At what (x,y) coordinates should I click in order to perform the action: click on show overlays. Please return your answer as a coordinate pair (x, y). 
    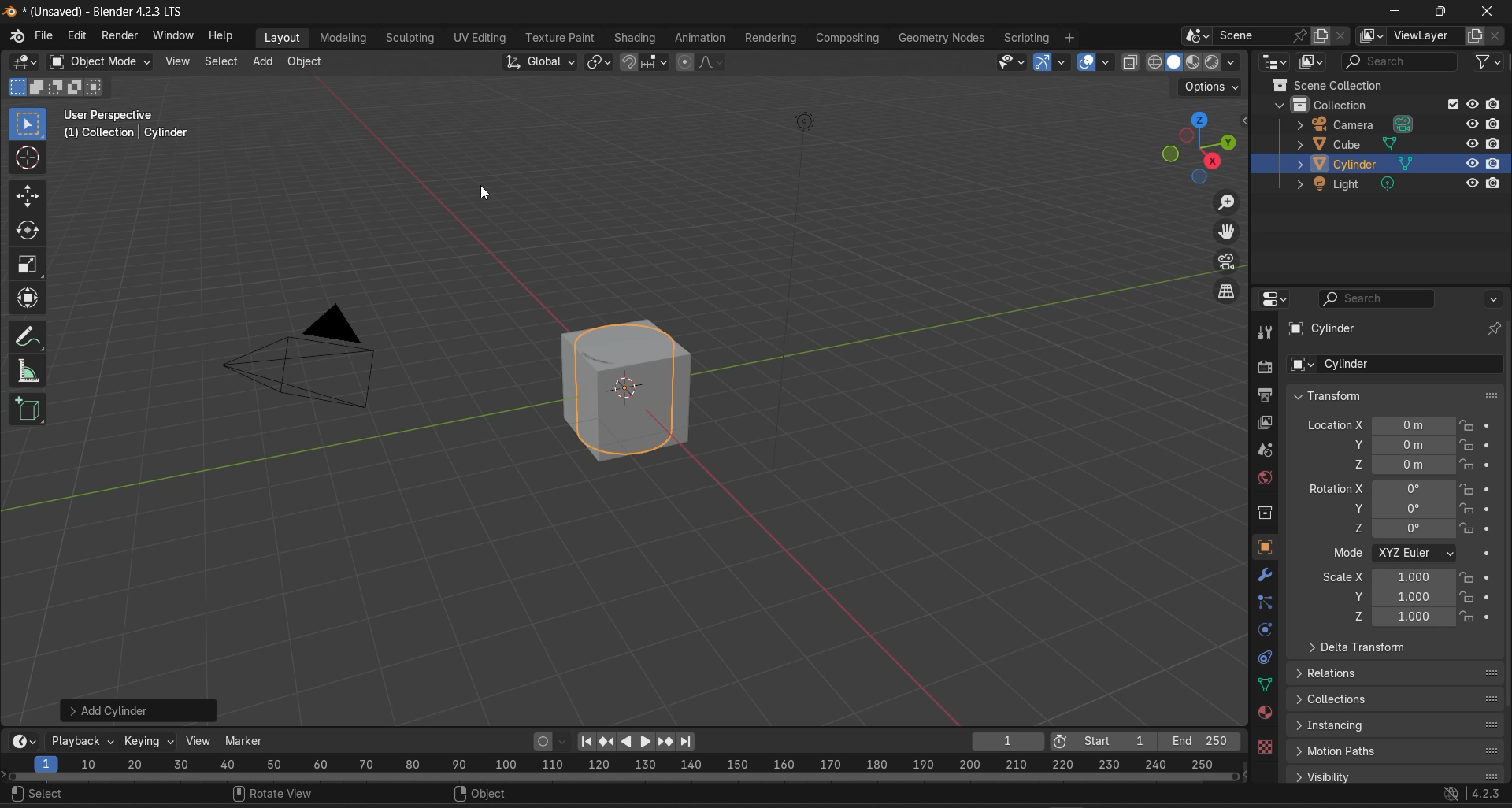
    Looking at the image, I should click on (1088, 61).